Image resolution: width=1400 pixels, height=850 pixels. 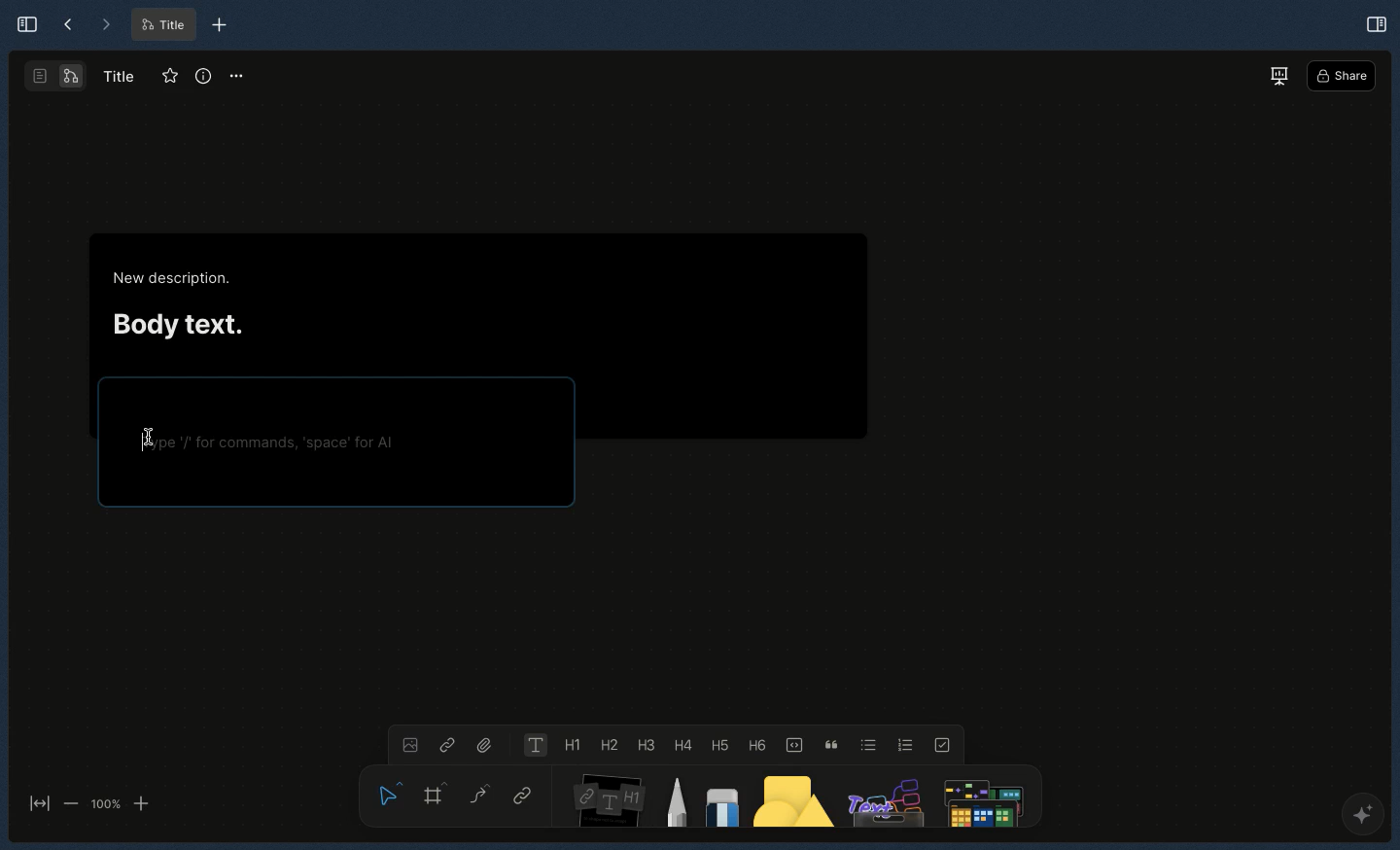 What do you see at coordinates (220, 25) in the screenshot?
I see `New tab` at bounding box center [220, 25].